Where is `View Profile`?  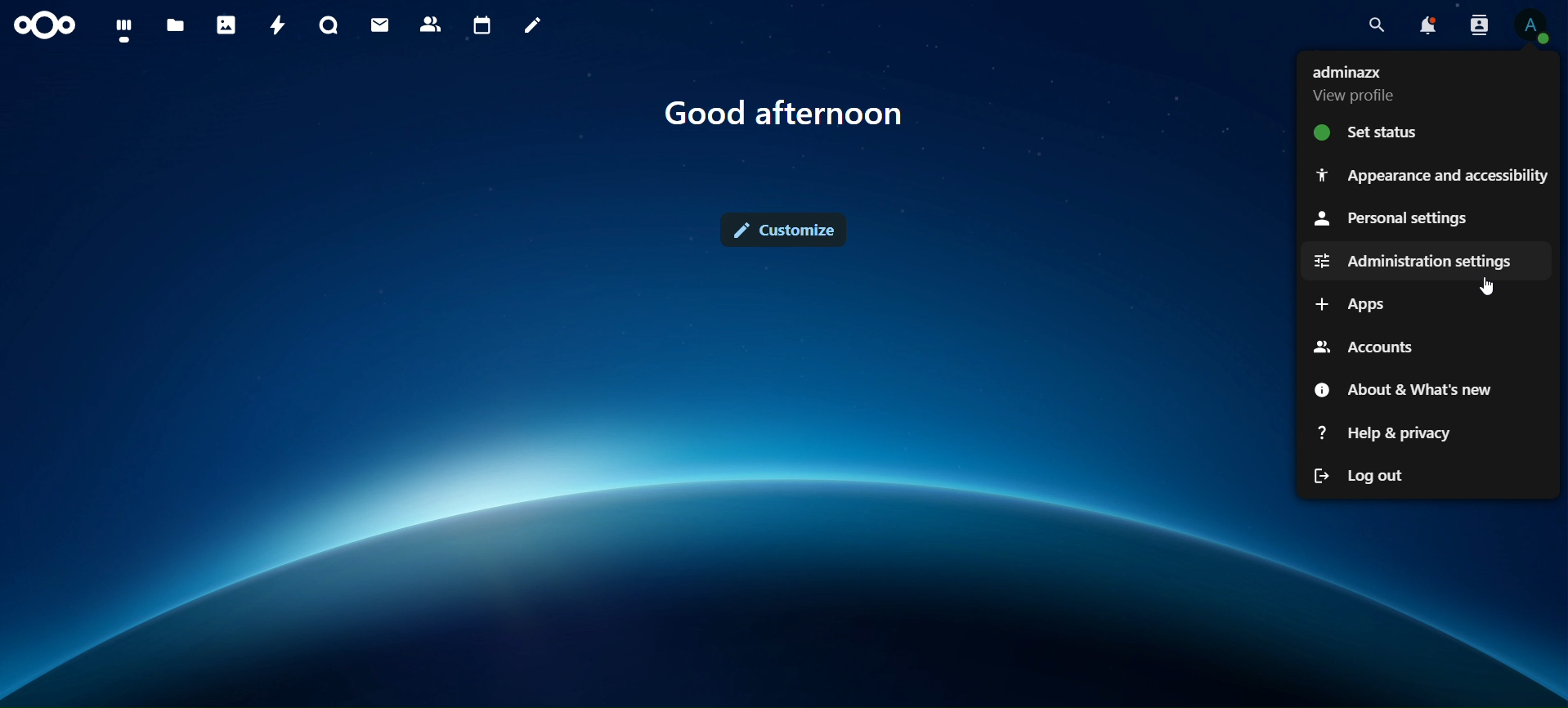
View Profile is located at coordinates (1533, 26).